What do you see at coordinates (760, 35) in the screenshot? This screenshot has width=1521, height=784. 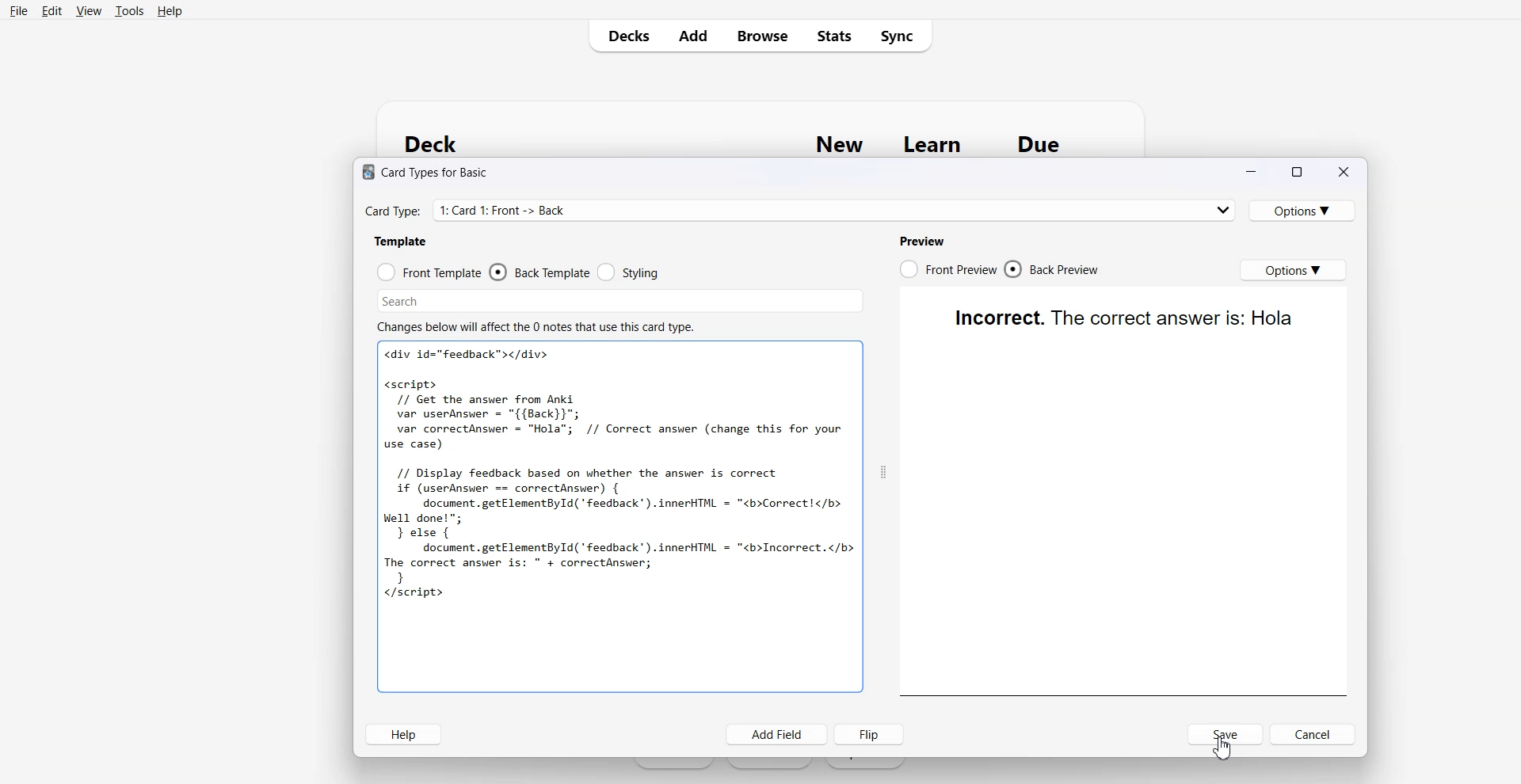 I see `Browse` at bounding box center [760, 35].